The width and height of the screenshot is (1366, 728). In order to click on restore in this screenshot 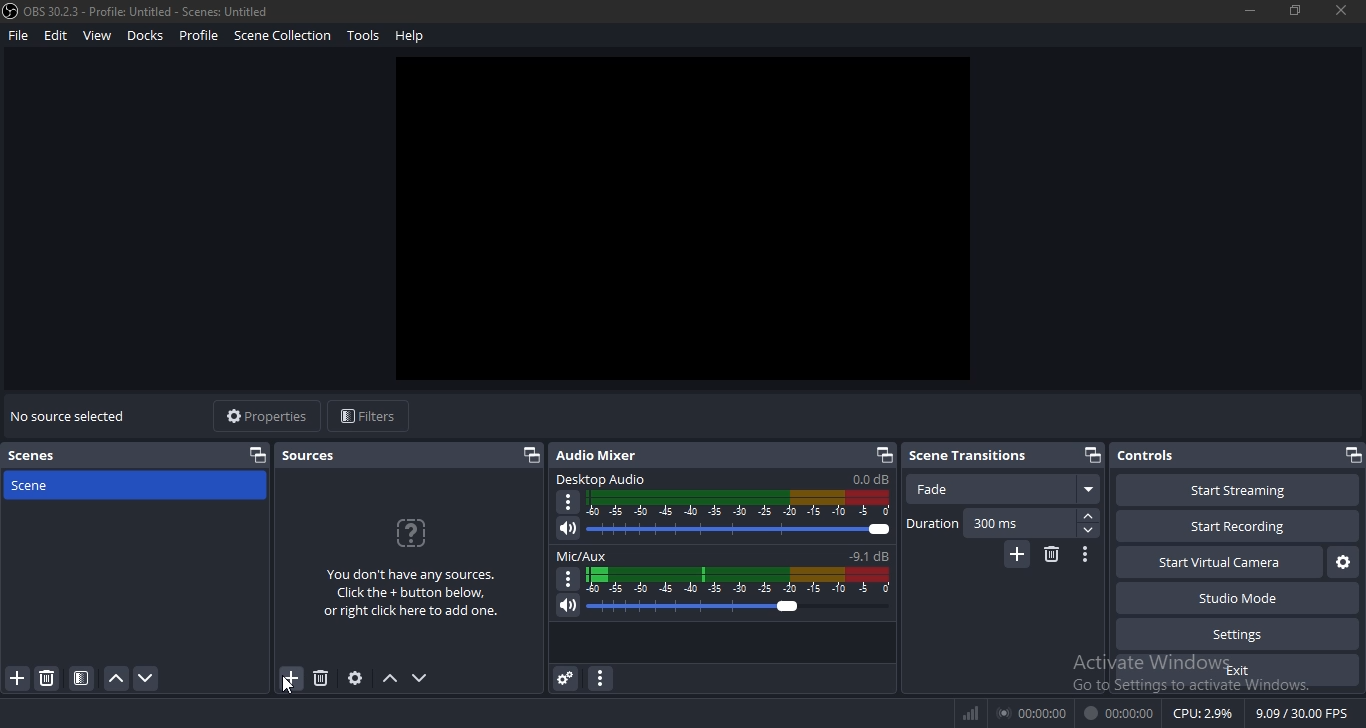, I will do `click(1352, 456)`.